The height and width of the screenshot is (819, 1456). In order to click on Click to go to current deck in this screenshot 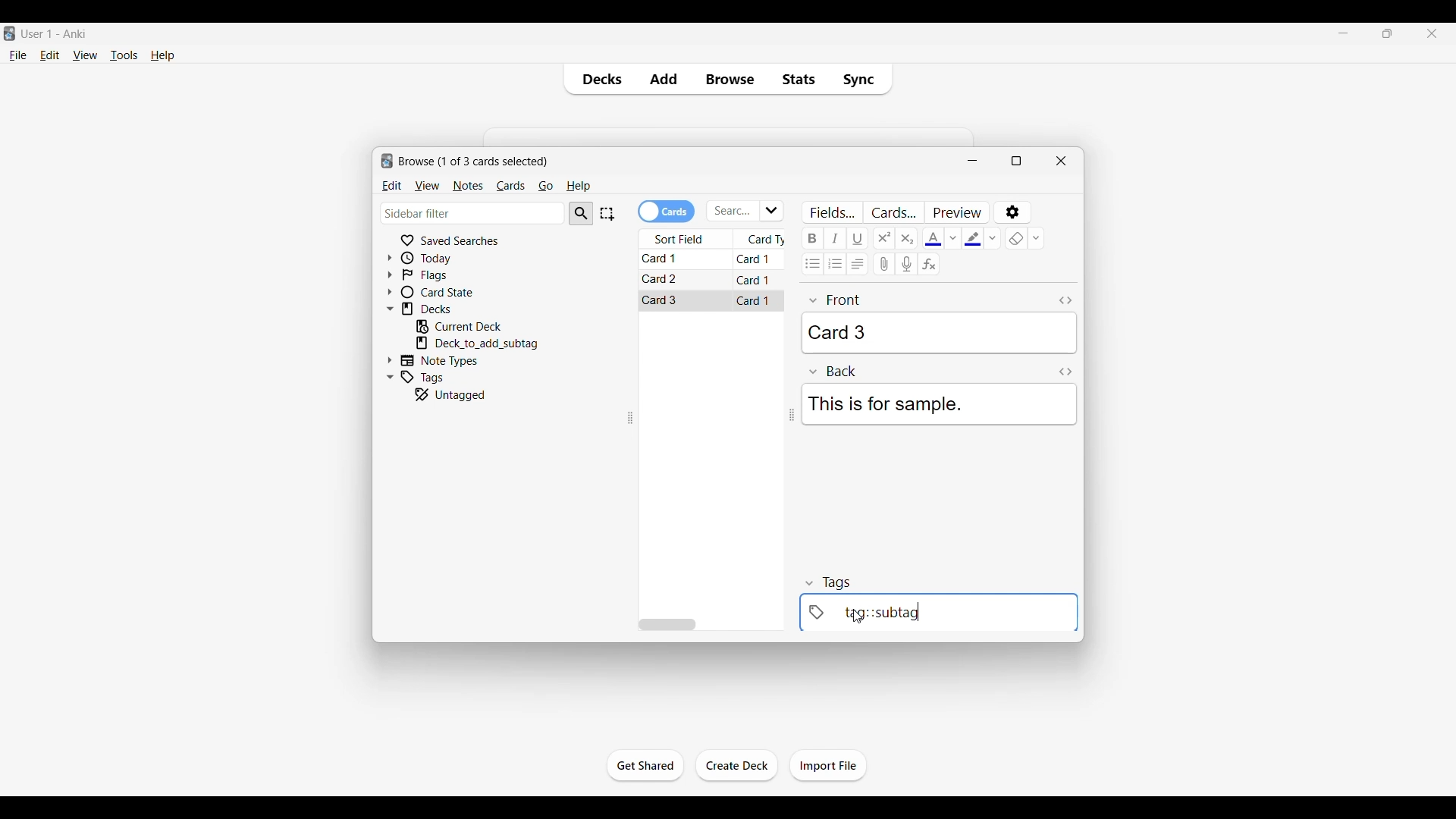, I will do `click(469, 326)`.